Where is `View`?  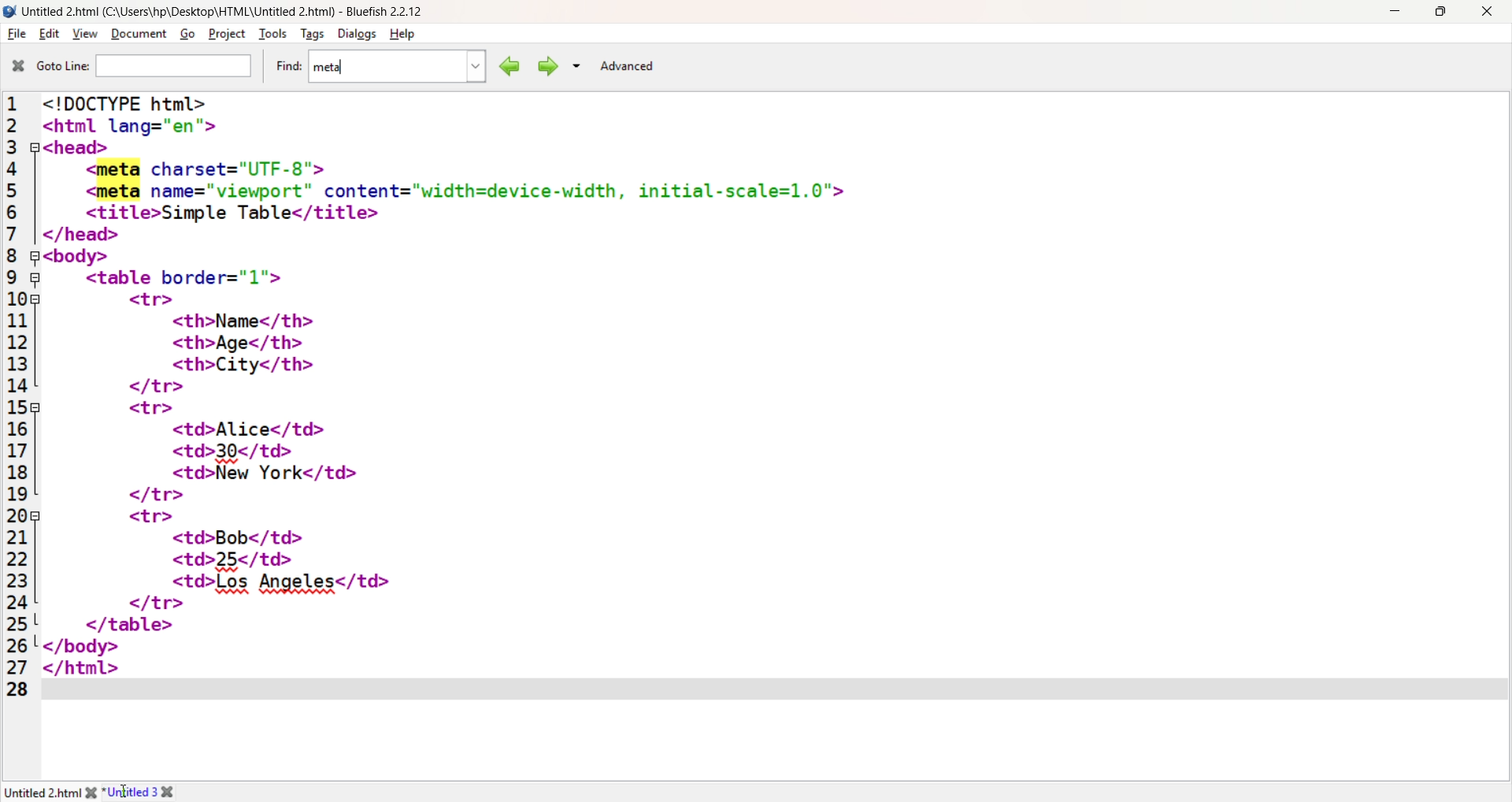 View is located at coordinates (83, 34).